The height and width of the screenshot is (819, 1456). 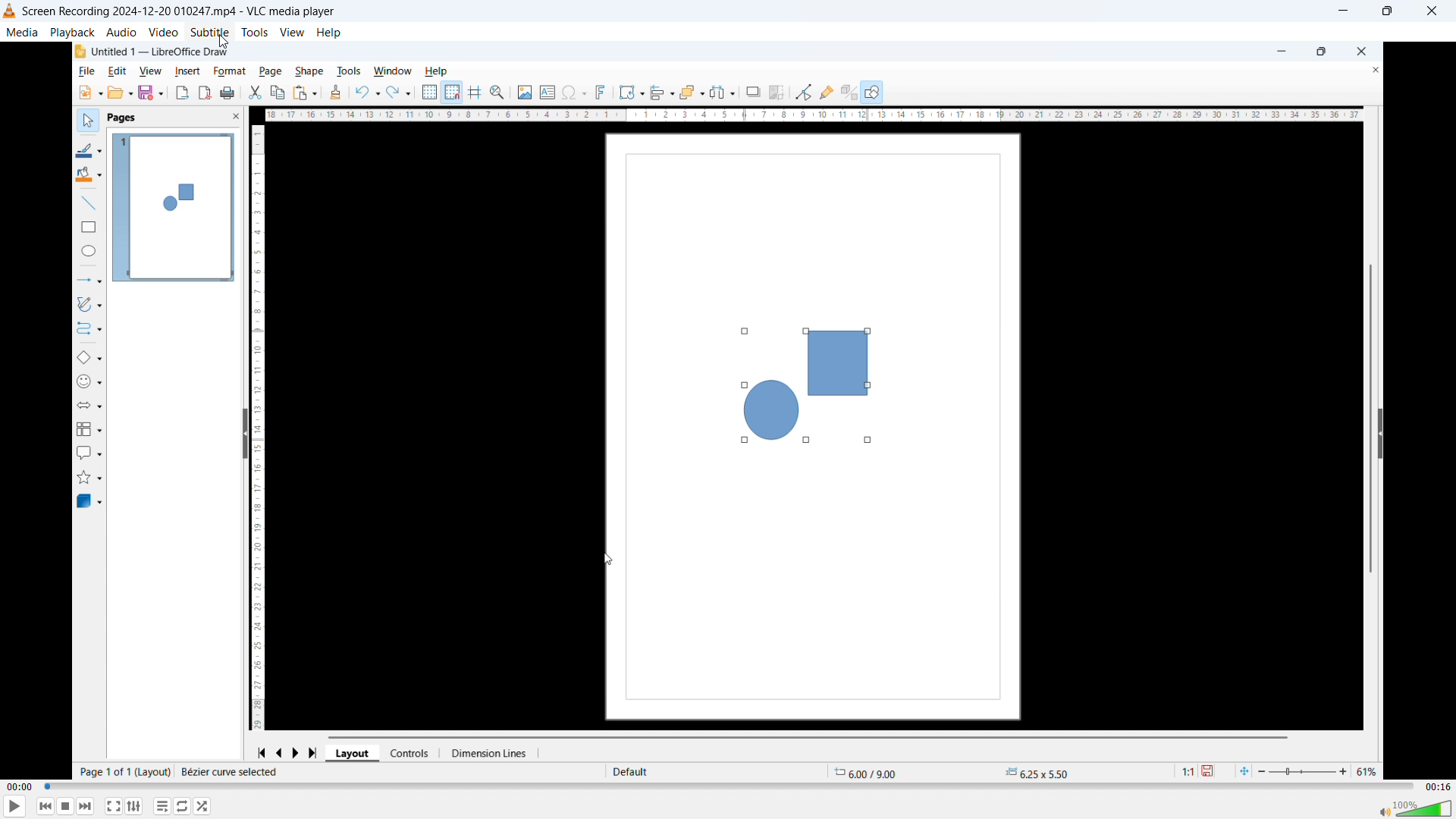 What do you see at coordinates (1036, 773) in the screenshot?
I see `object position- 6.25x5.50` at bounding box center [1036, 773].